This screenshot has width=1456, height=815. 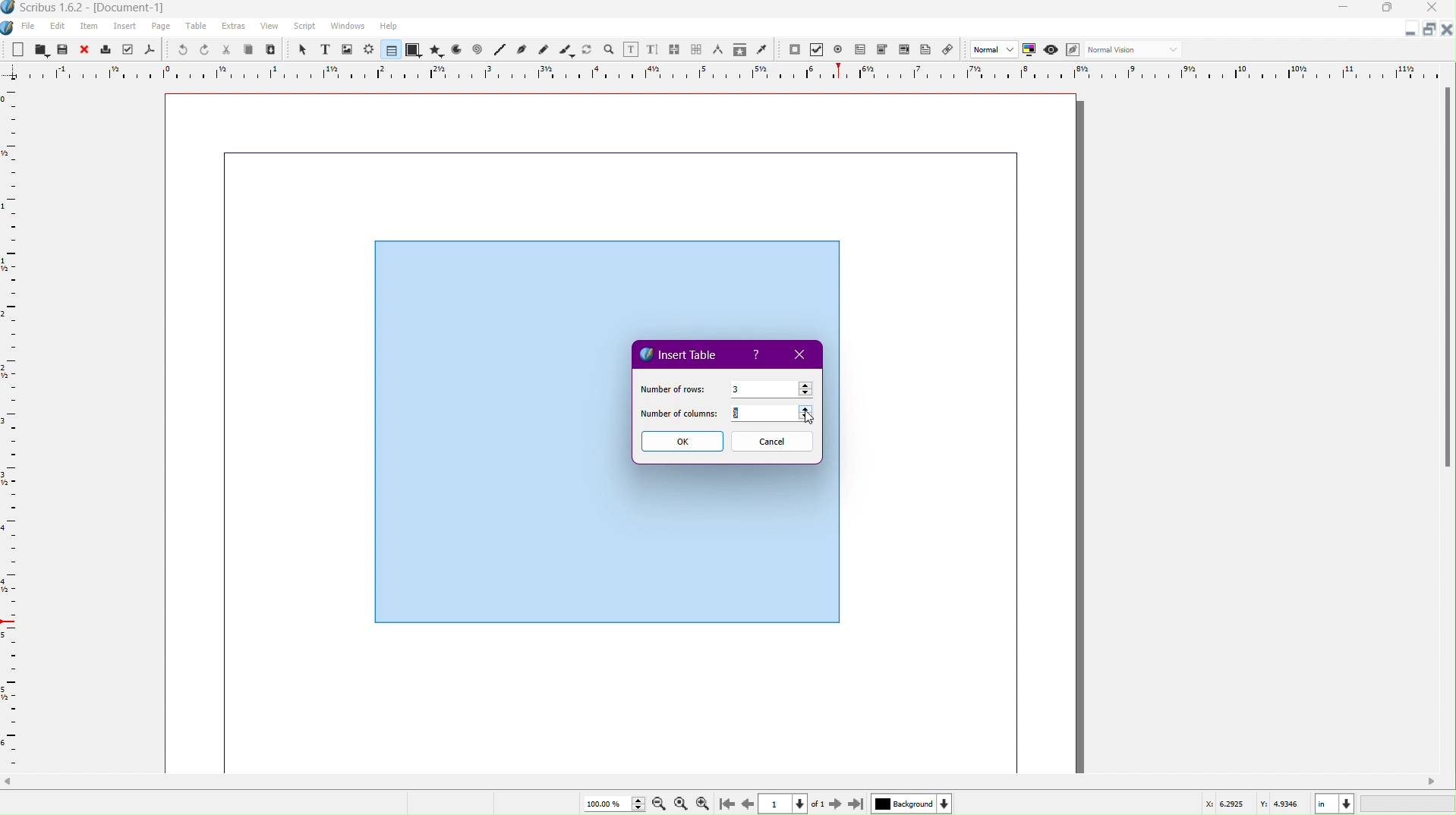 What do you see at coordinates (653, 49) in the screenshot?
I see `Edit Text with Story Editor` at bounding box center [653, 49].